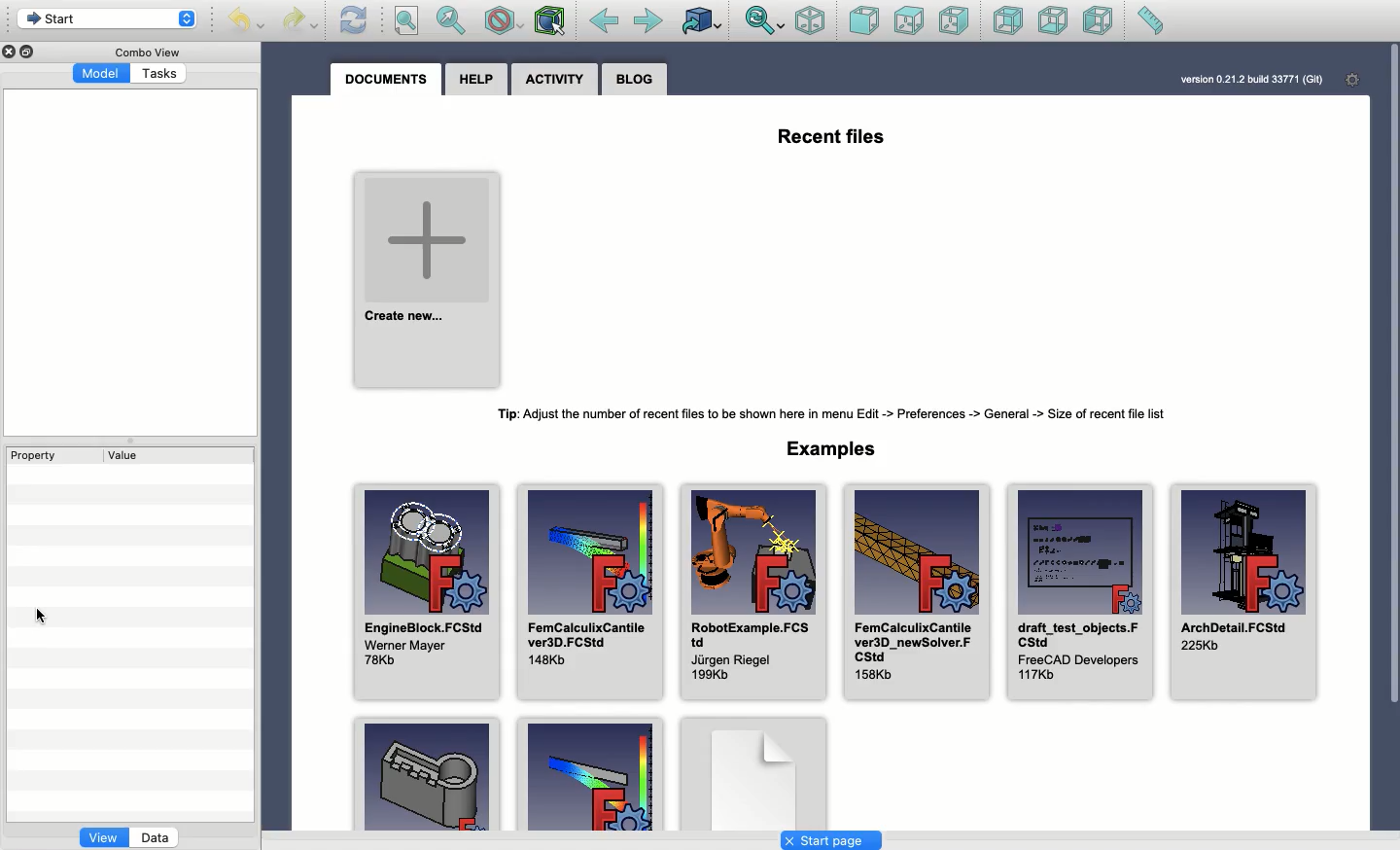 The image size is (1400, 850). I want to click on Settings, so click(1354, 83).